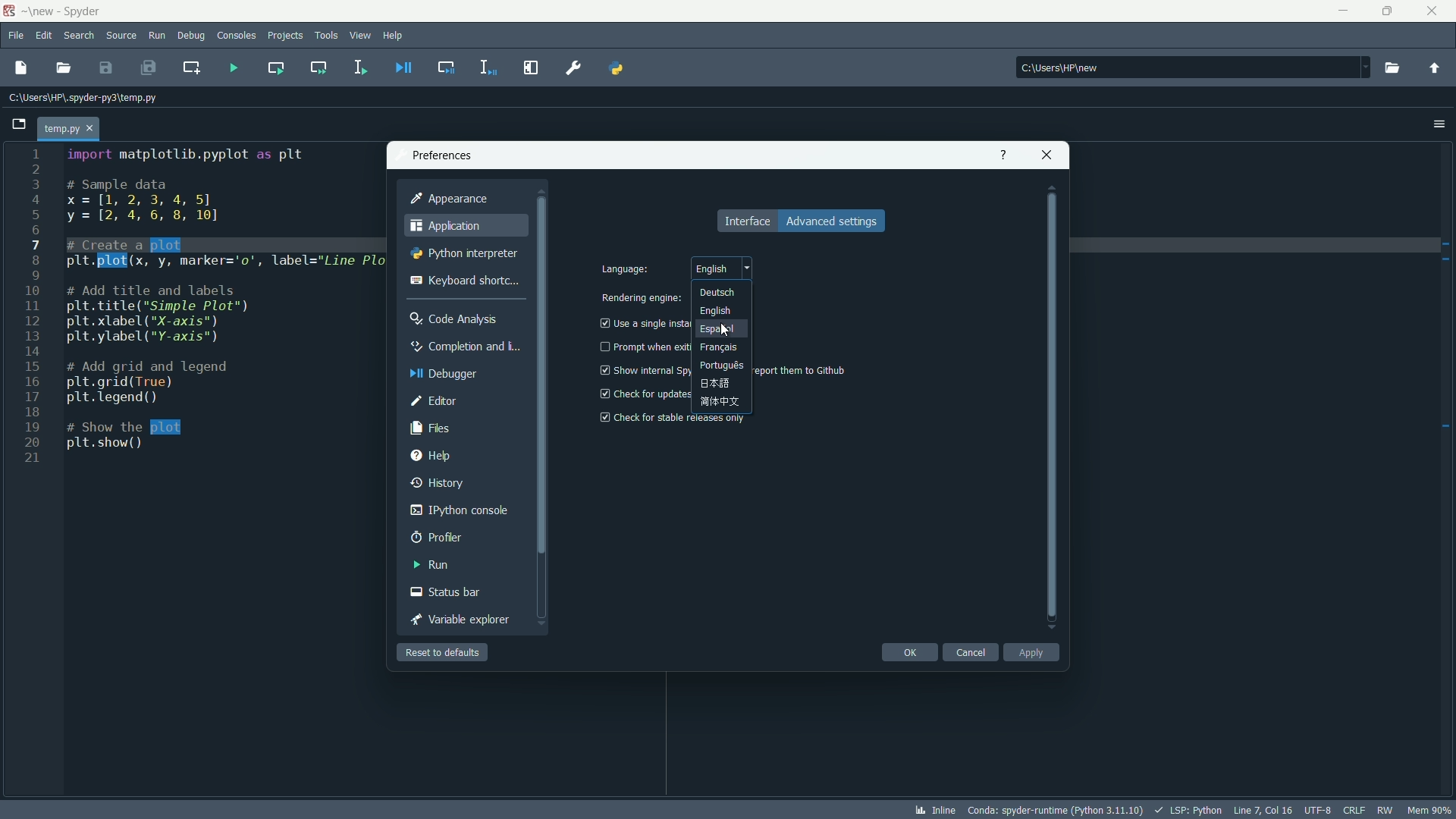 This screenshot has height=819, width=1456. What do you see at coordinates (21, 68) in the screenshot?
I see `new file` at bounding box center [21, 68].